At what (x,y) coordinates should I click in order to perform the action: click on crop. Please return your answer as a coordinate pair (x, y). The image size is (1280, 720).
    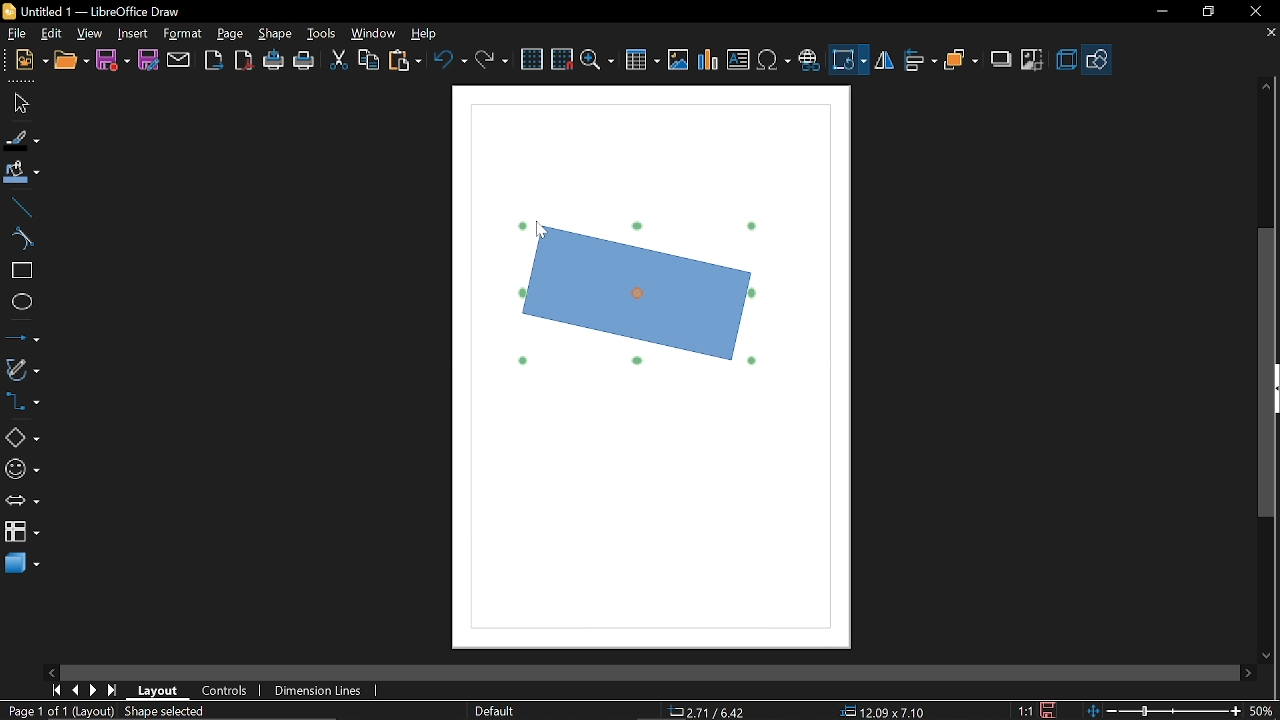
    Looking at the image, I should click on (1033, 58).